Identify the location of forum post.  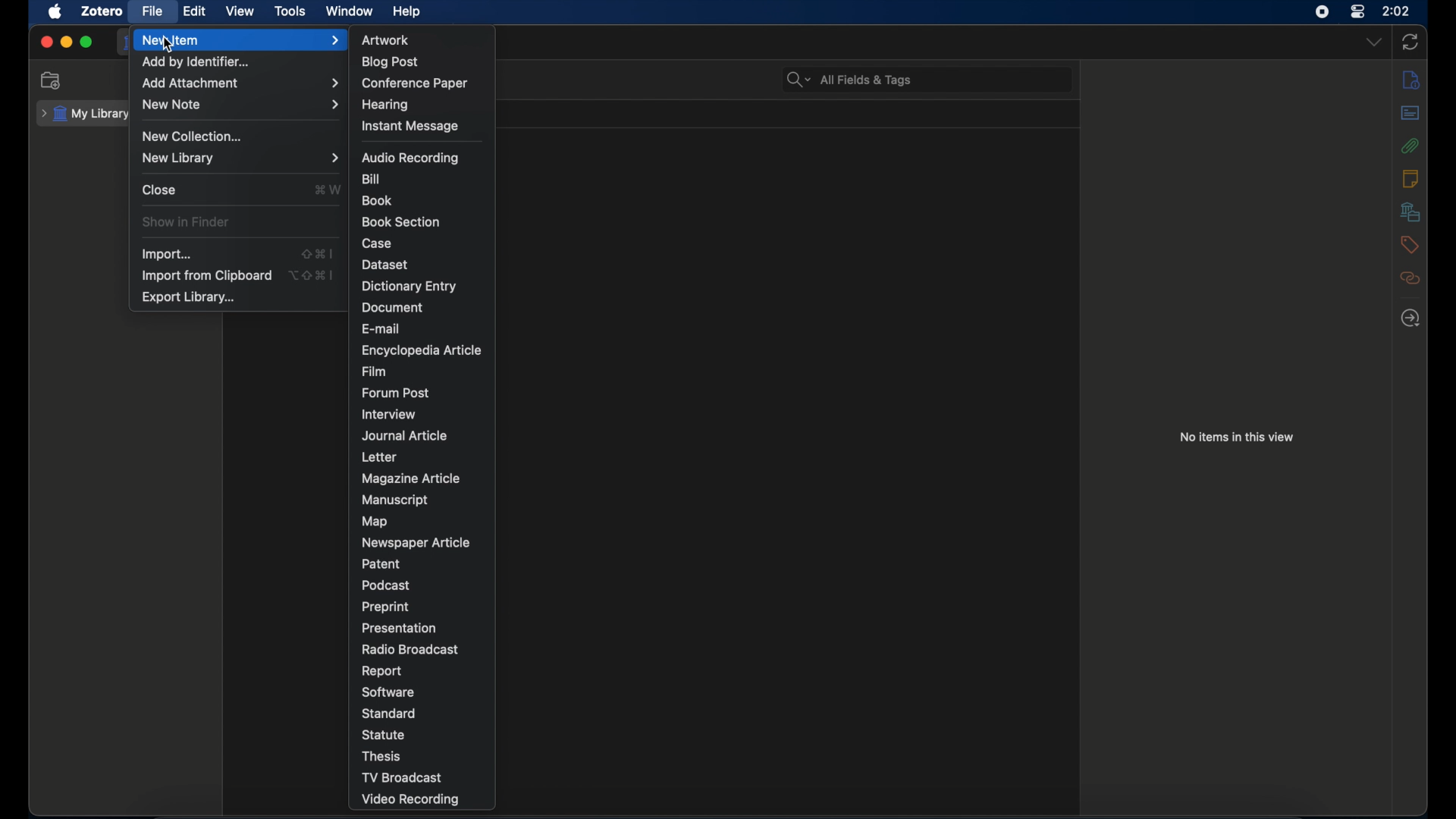
(395, 392).